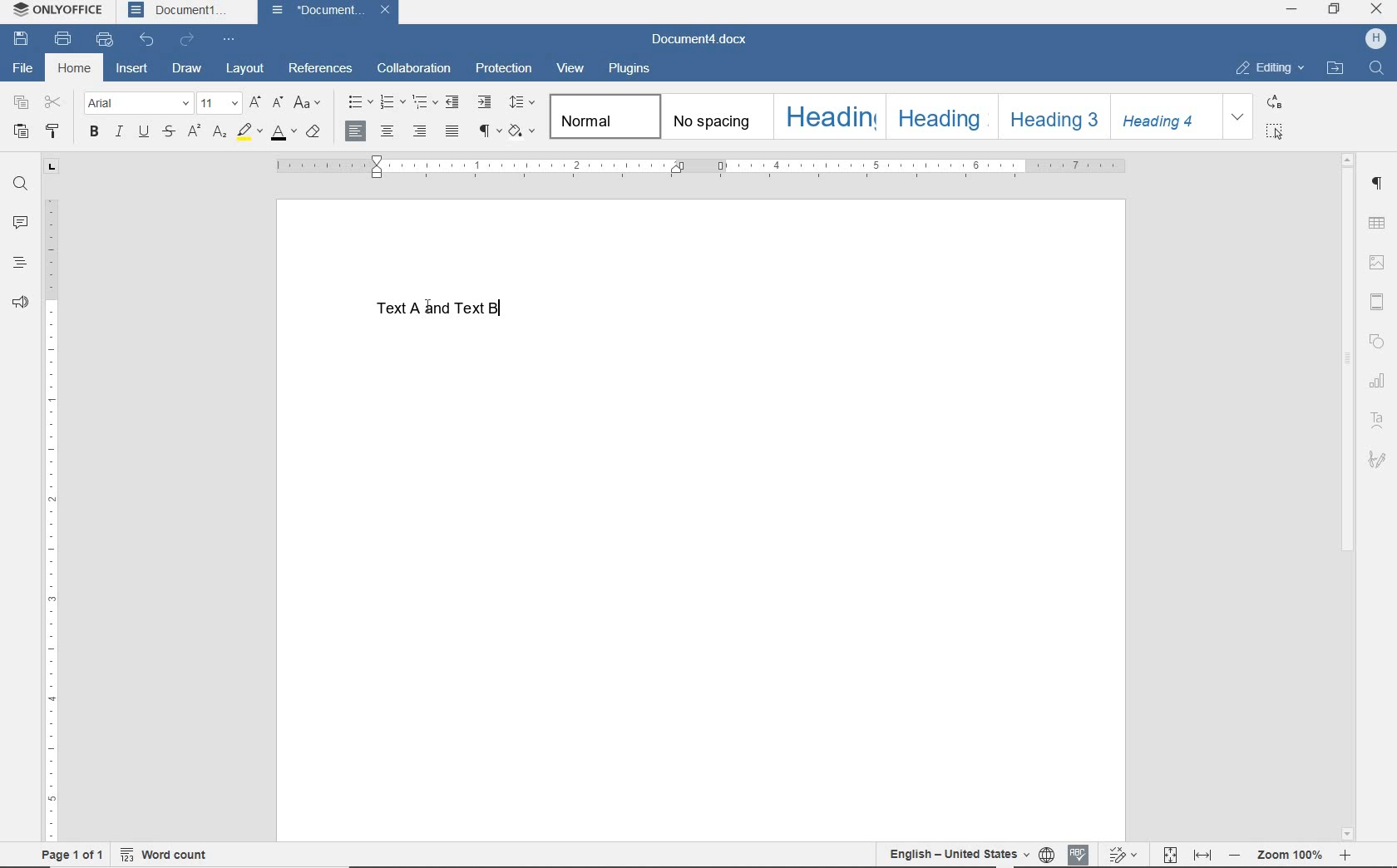  What do you see at coordinates (278, 104) in the screenshot?
I see `DECREMENT FONT SIZE` at bounding box center [278, 104].